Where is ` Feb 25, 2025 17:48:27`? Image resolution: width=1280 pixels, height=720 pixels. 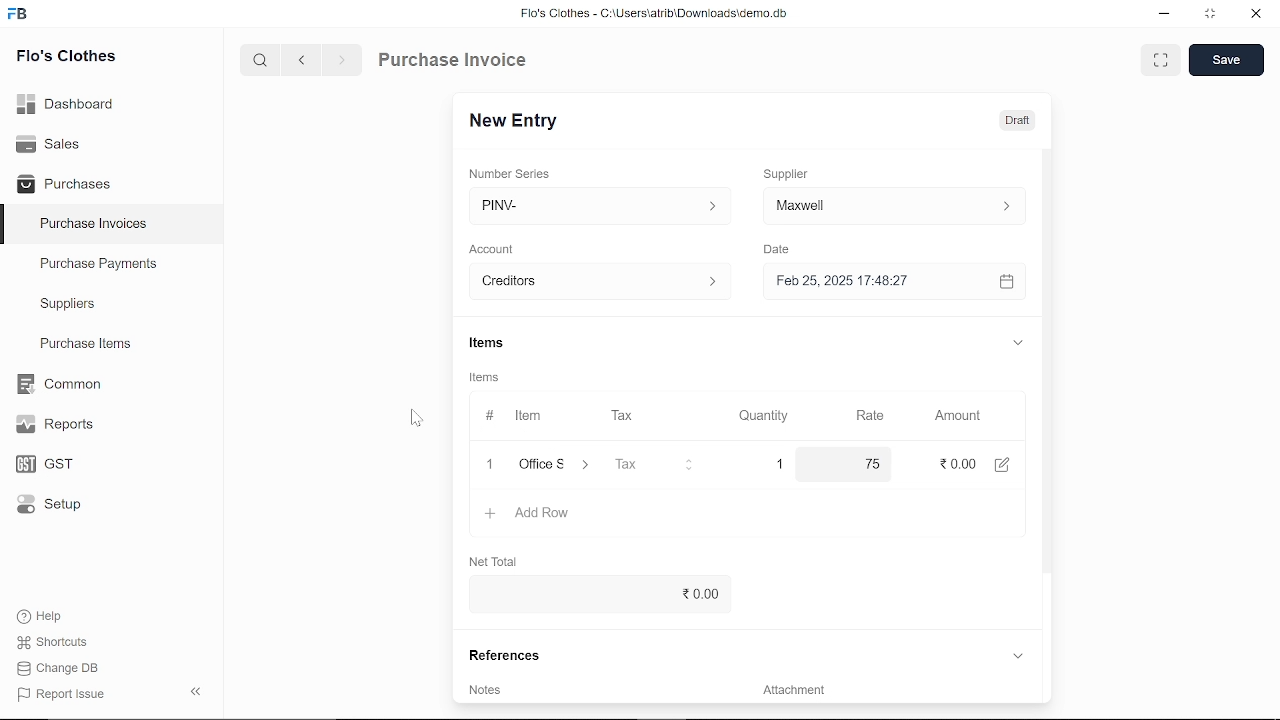  Feb 25, 2025 17:48:27 is located at coordinates (874, 281).